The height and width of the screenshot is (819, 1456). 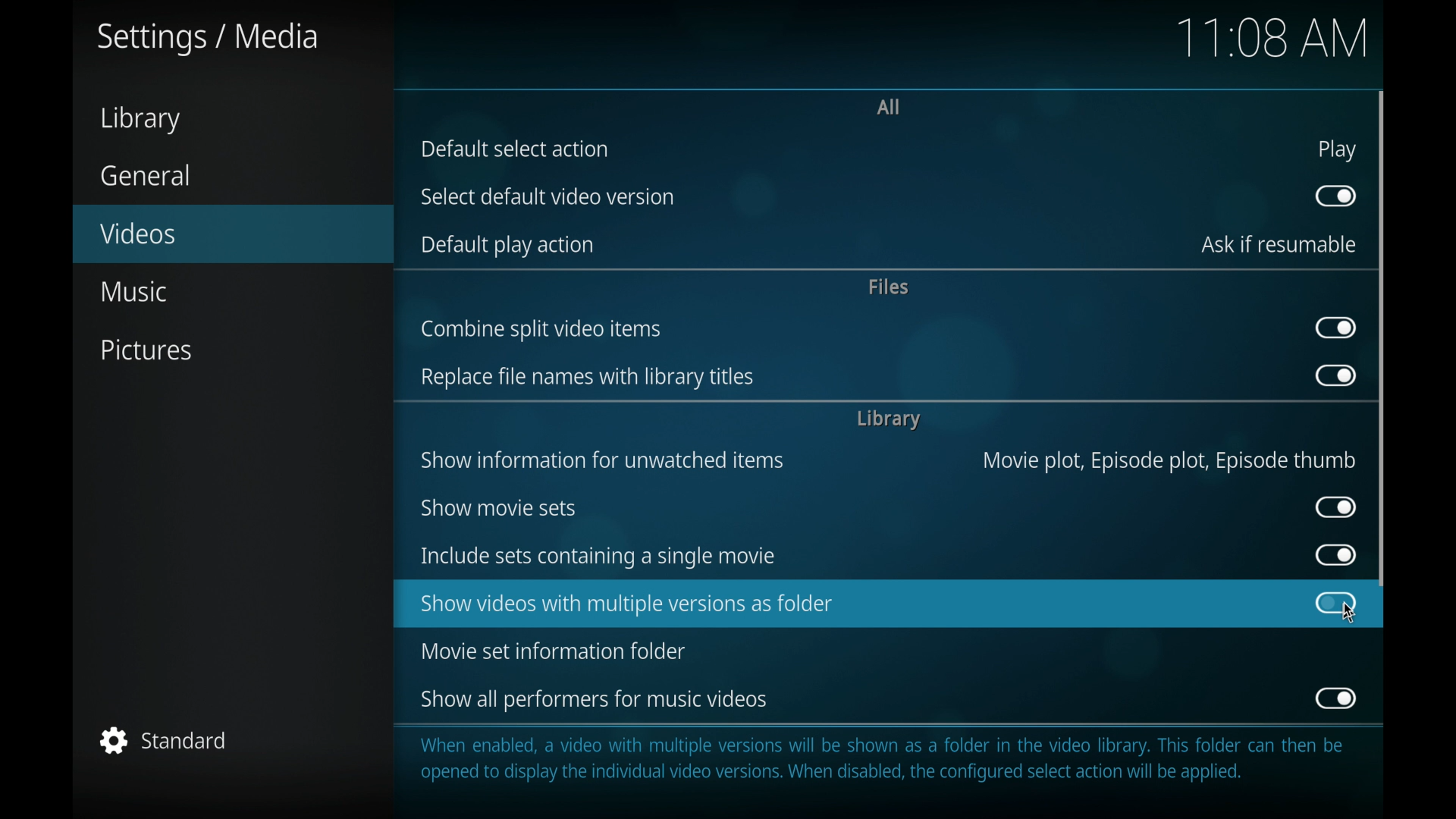 I want to click on default select action, so click(x=516, y=149).